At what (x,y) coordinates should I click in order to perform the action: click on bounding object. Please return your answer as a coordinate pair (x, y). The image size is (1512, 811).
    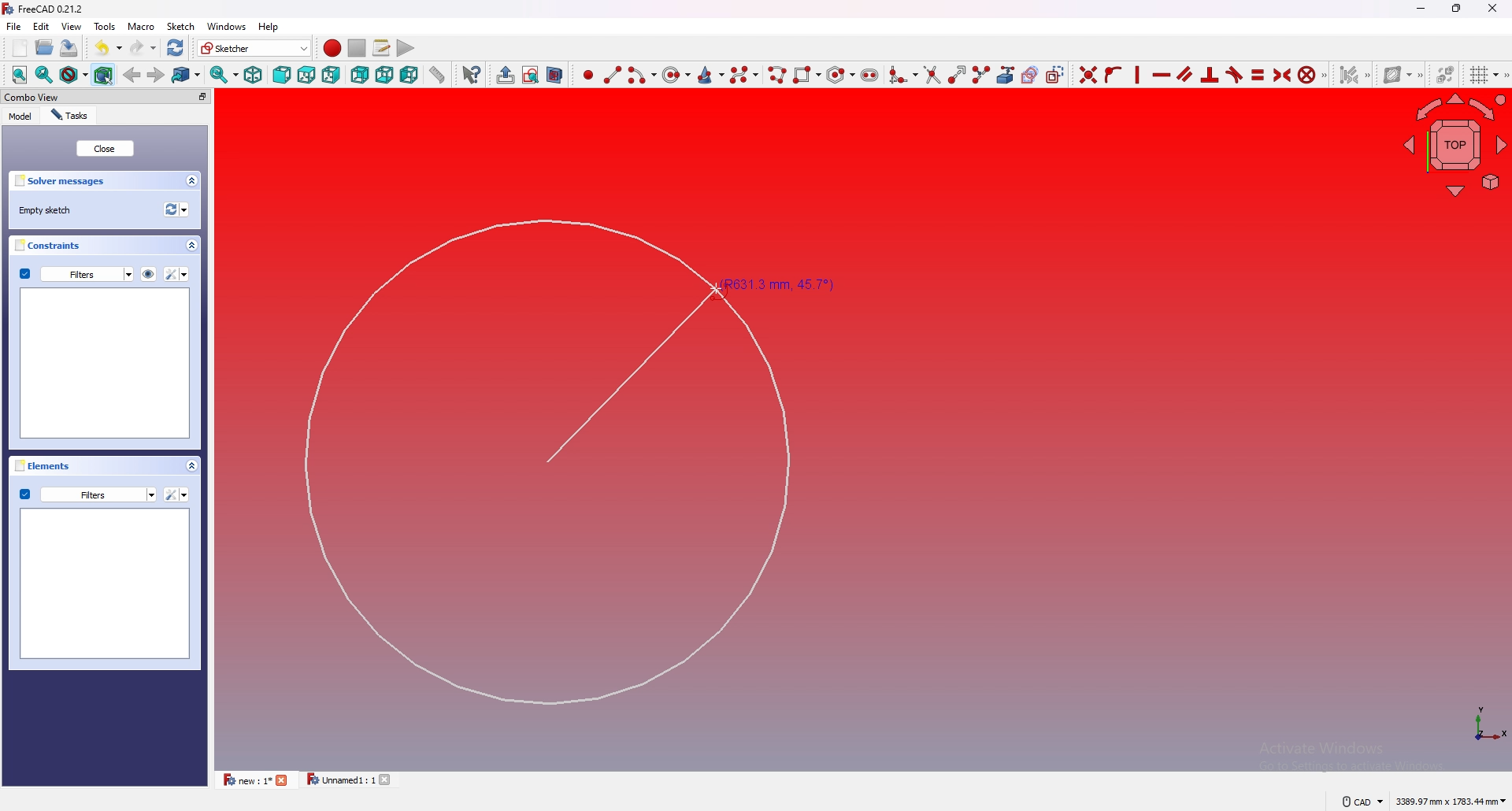
    Looking at the image, I should click on (104, 73).